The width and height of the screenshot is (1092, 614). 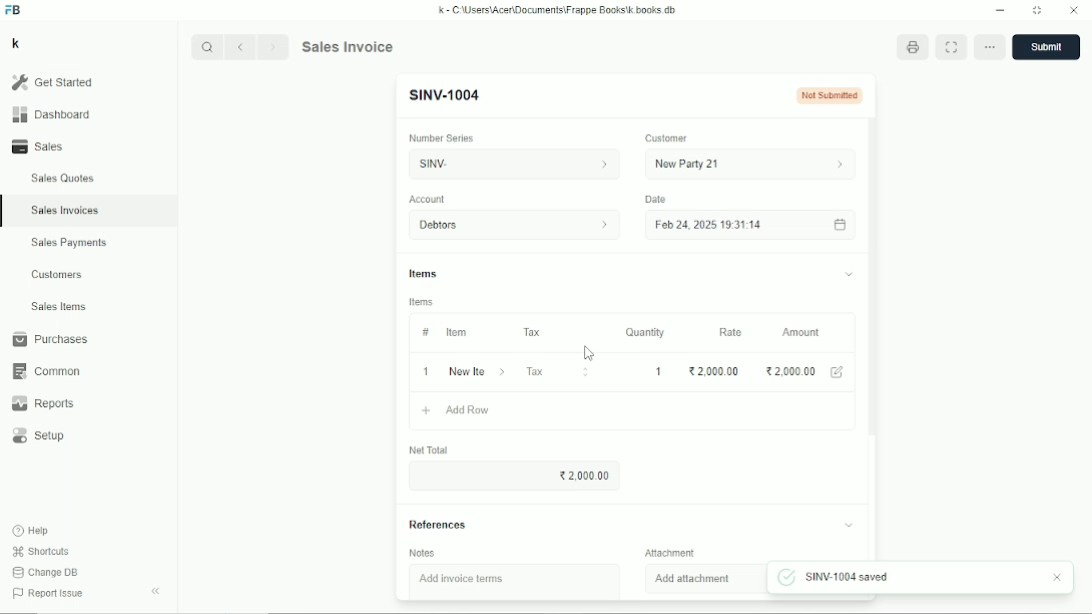 What do you see at coordinates (32, 530) in the screenshot?
I see `Help` at bounding box center [32, 530].